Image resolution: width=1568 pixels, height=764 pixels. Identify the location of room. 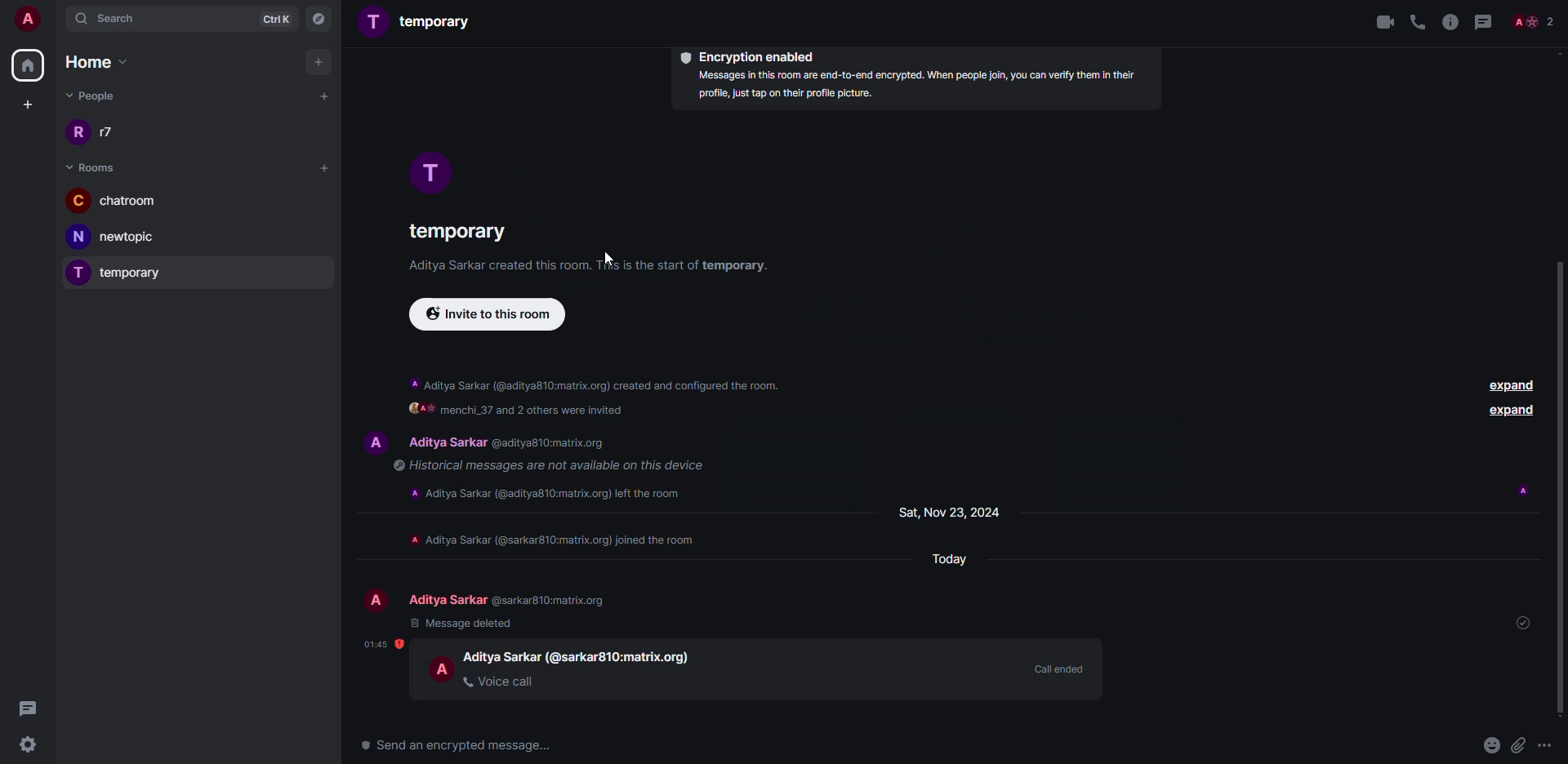
(423, 20).